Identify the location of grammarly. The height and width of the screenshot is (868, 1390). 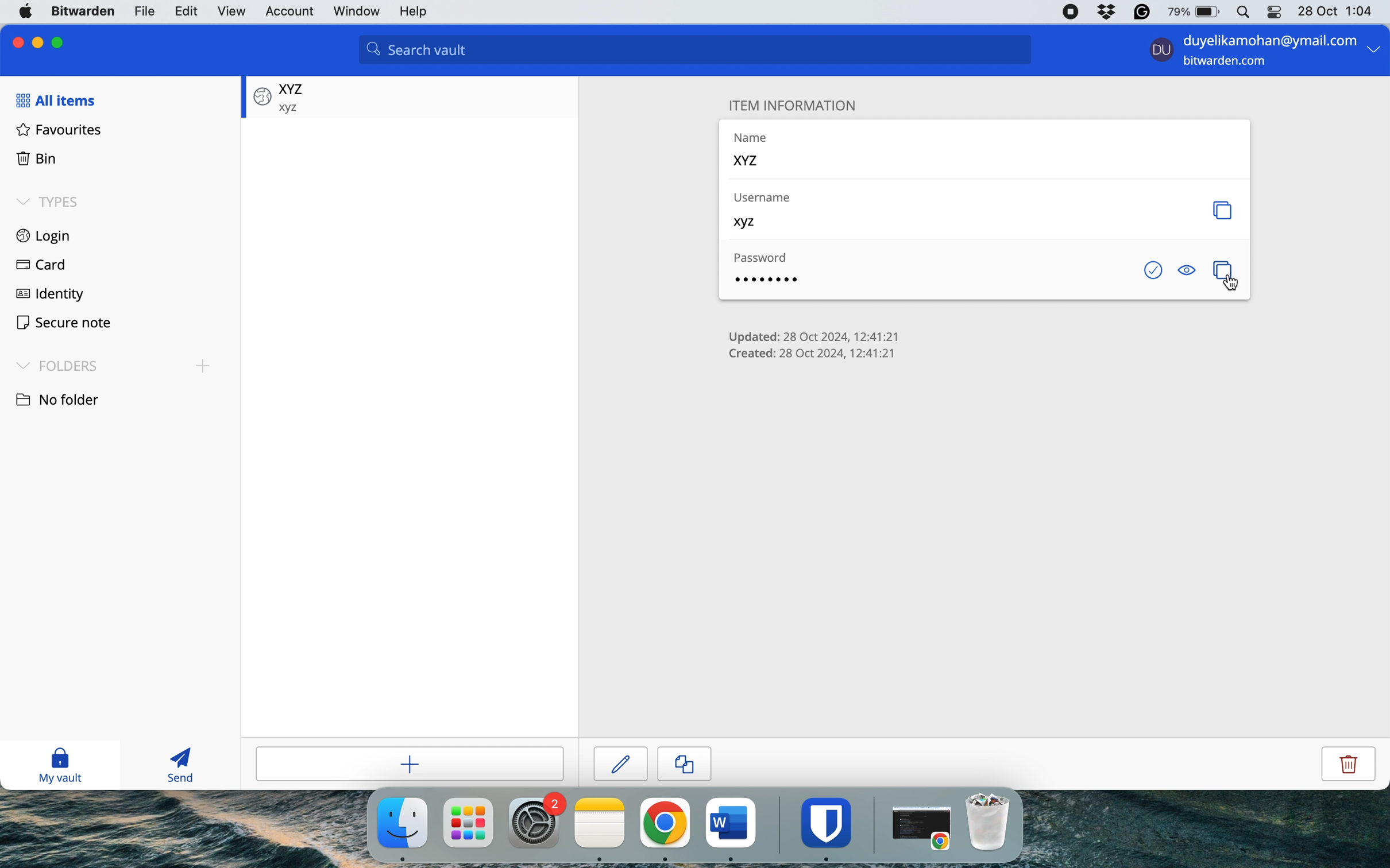
(1140, 12).